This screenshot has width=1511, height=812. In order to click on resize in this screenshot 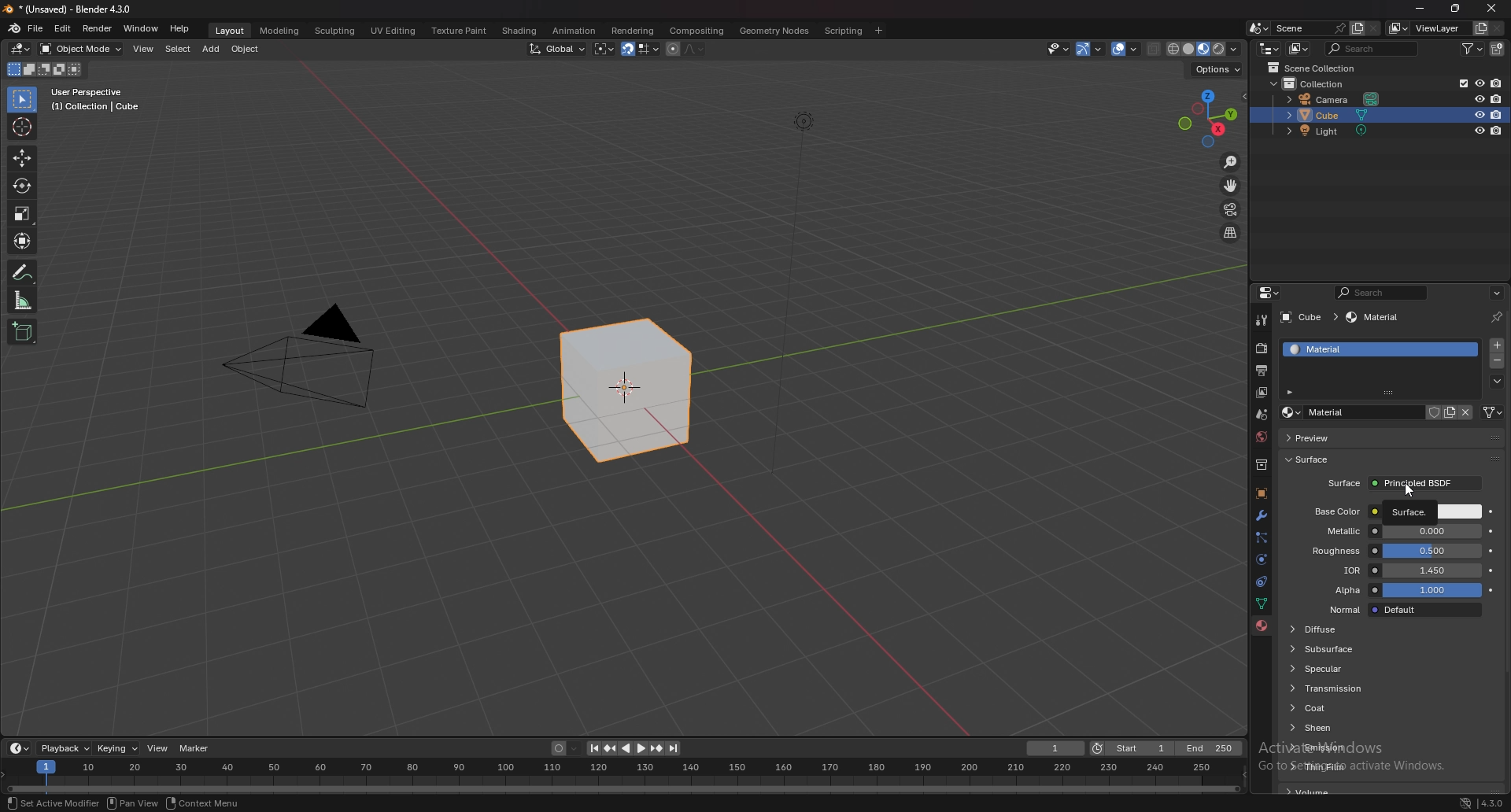, I will do `click(1455, 9)`.